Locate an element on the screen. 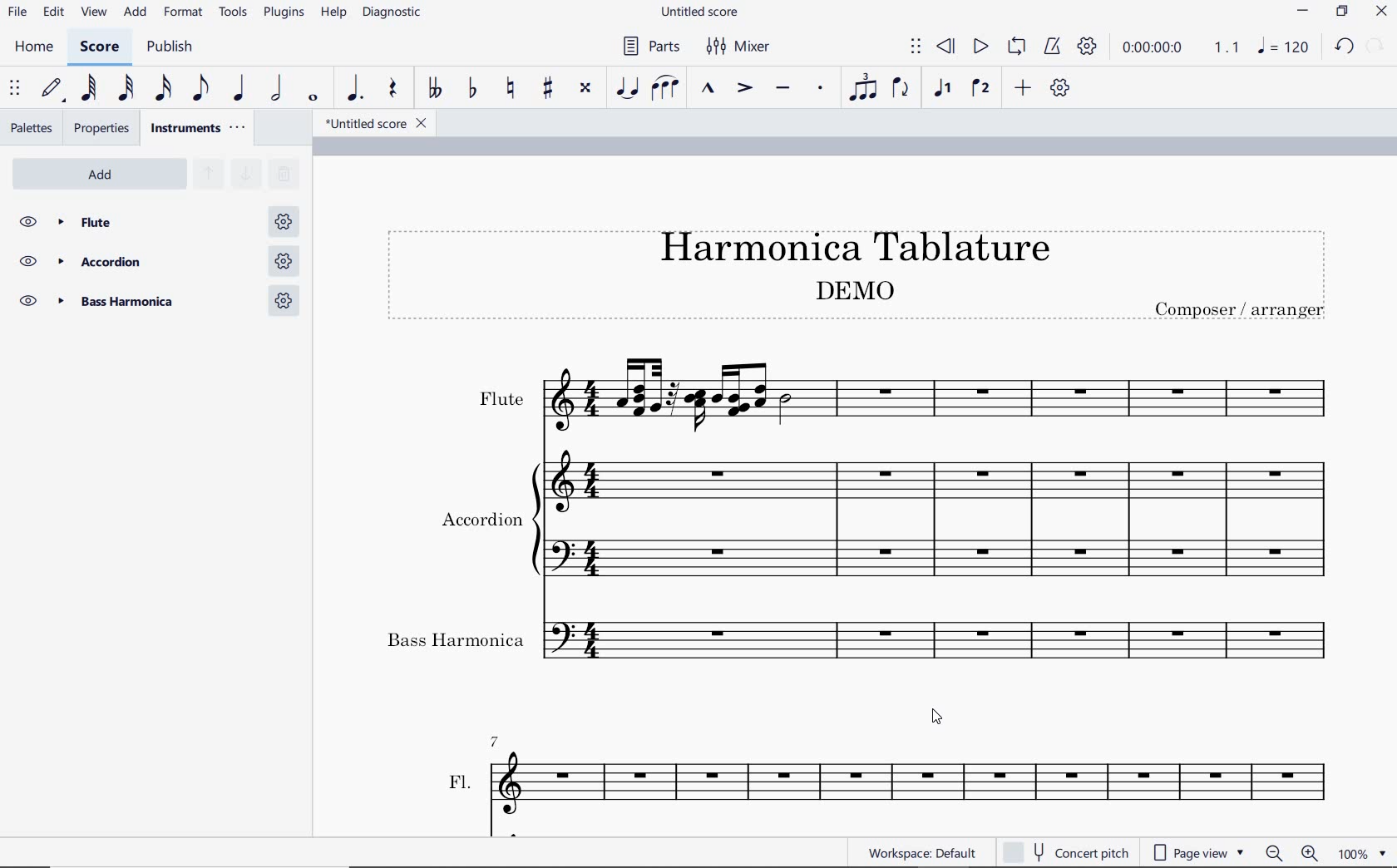  customize toolbar is located at coordinates (1062, 88).